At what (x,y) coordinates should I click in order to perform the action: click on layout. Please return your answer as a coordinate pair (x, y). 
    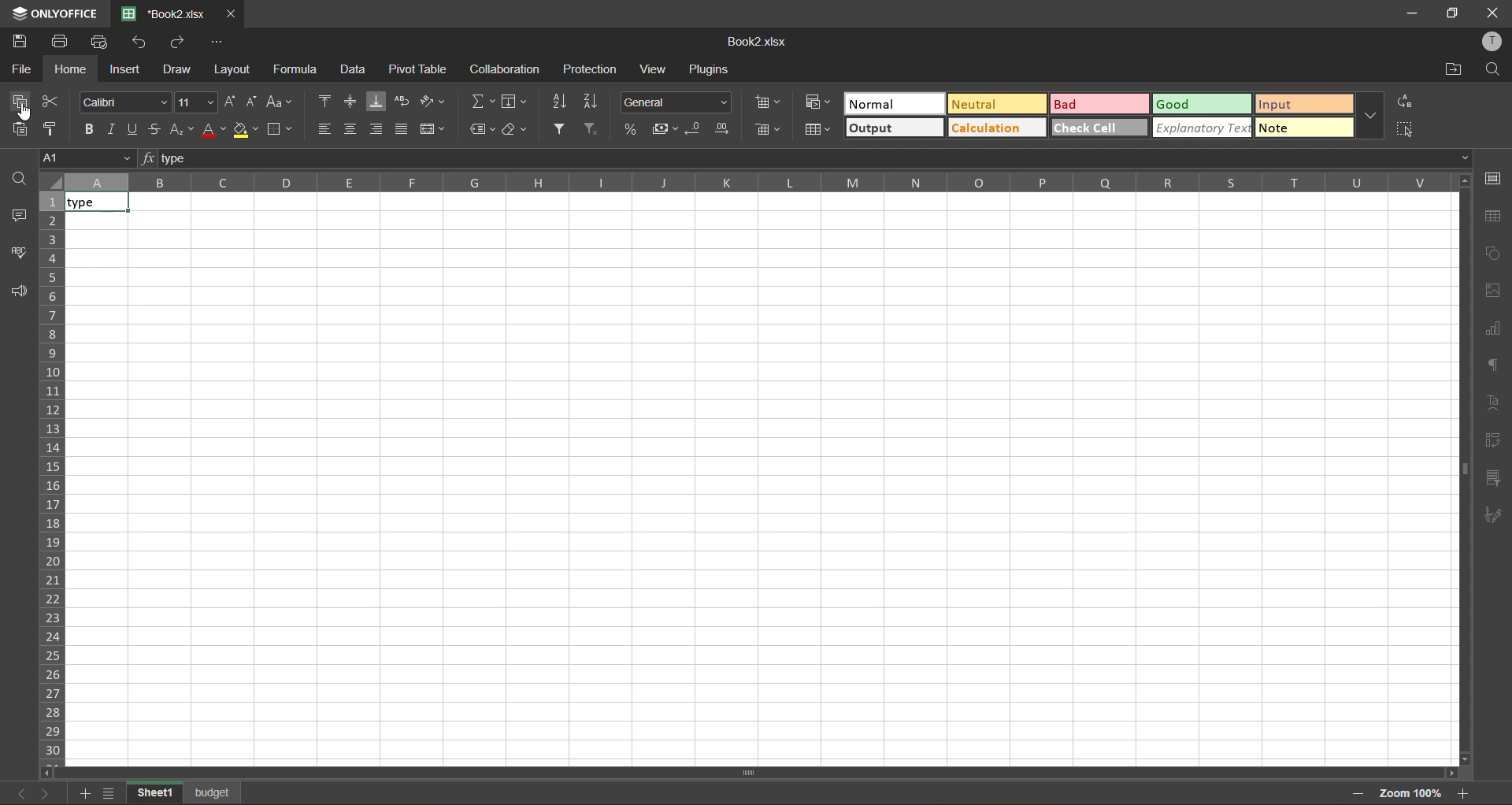
    Looking at the image, I should click on (230, 71).